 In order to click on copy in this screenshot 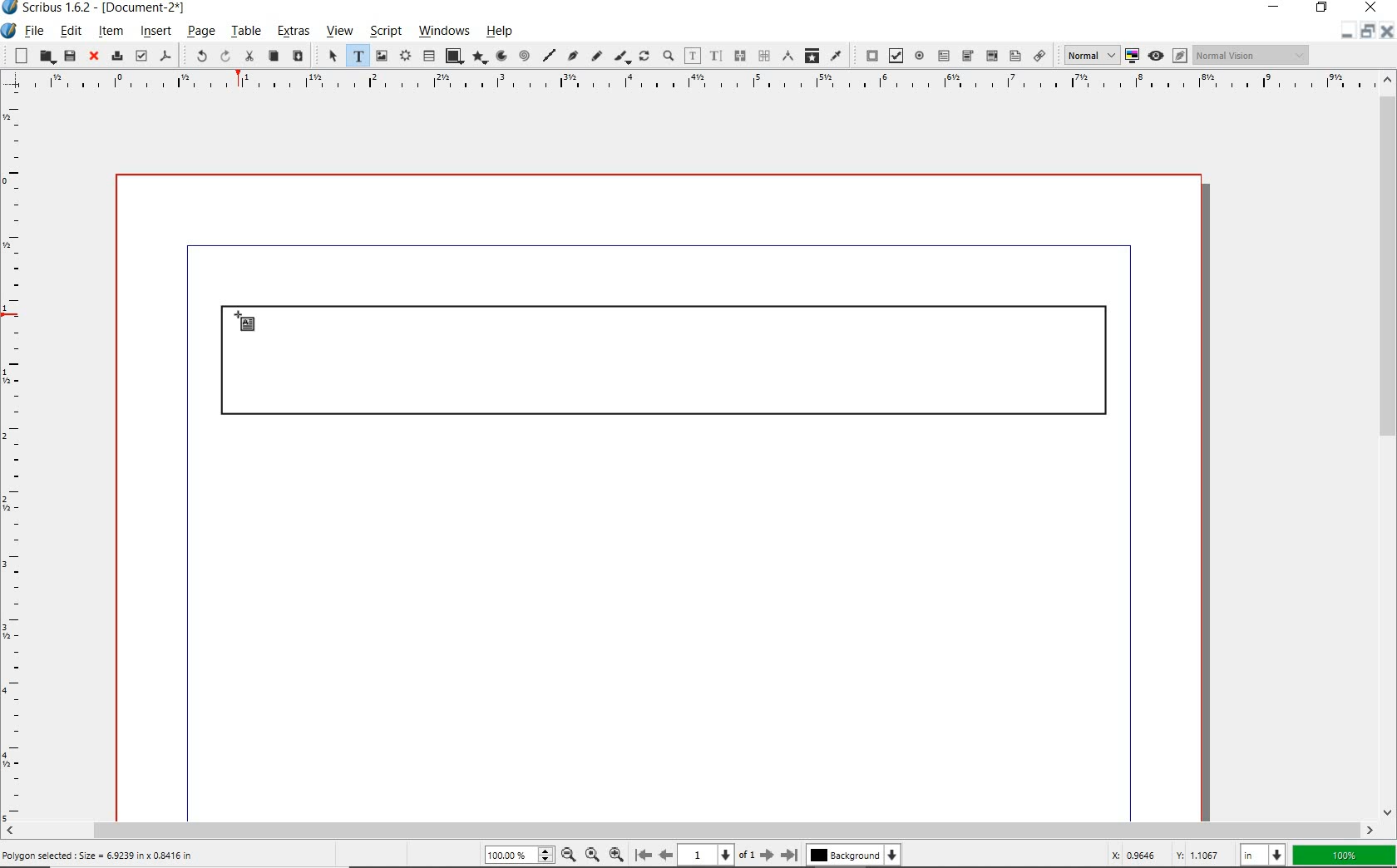, I will do `click(273, 57)`.